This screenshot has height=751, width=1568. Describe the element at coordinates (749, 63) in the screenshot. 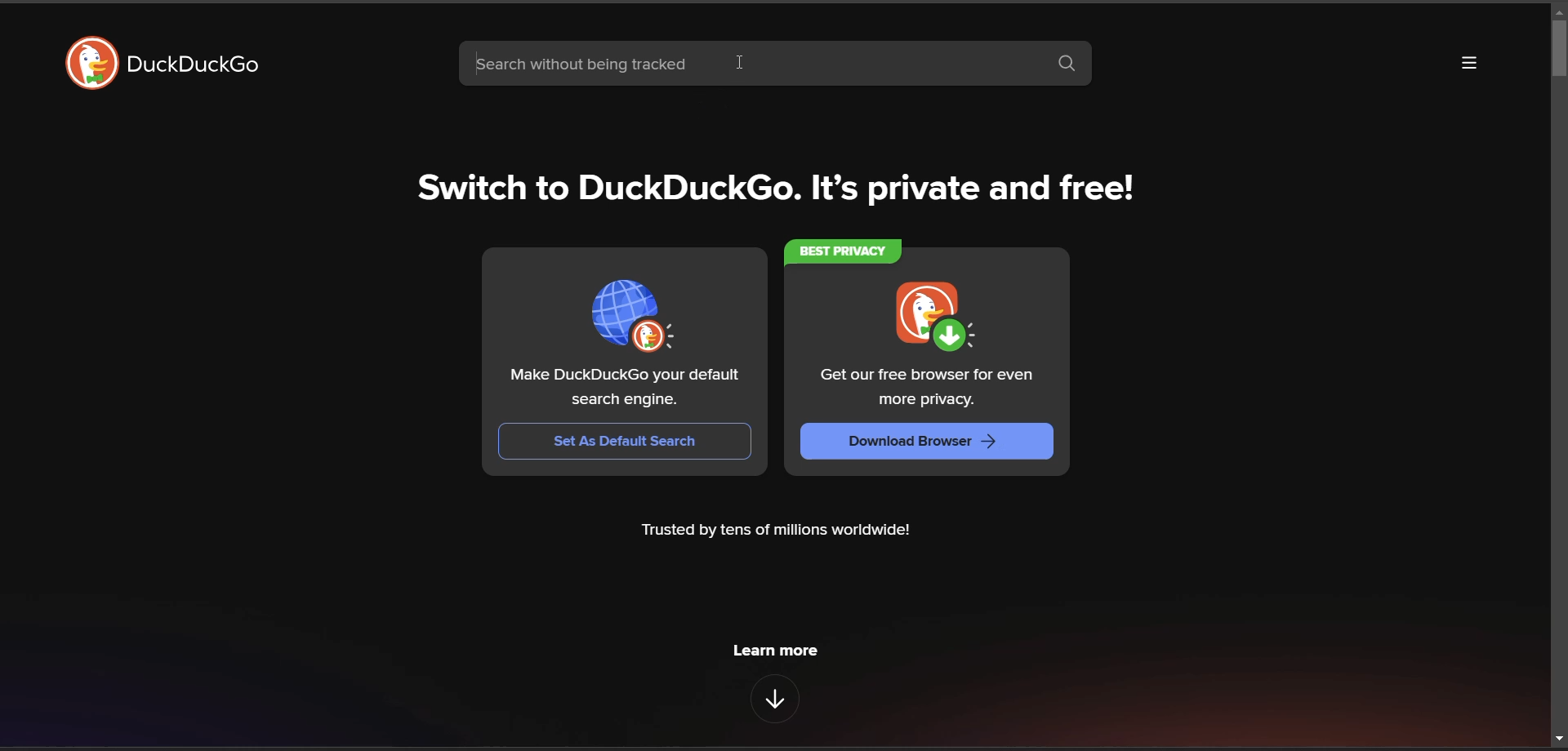

I see `search without being tracked` at that location.